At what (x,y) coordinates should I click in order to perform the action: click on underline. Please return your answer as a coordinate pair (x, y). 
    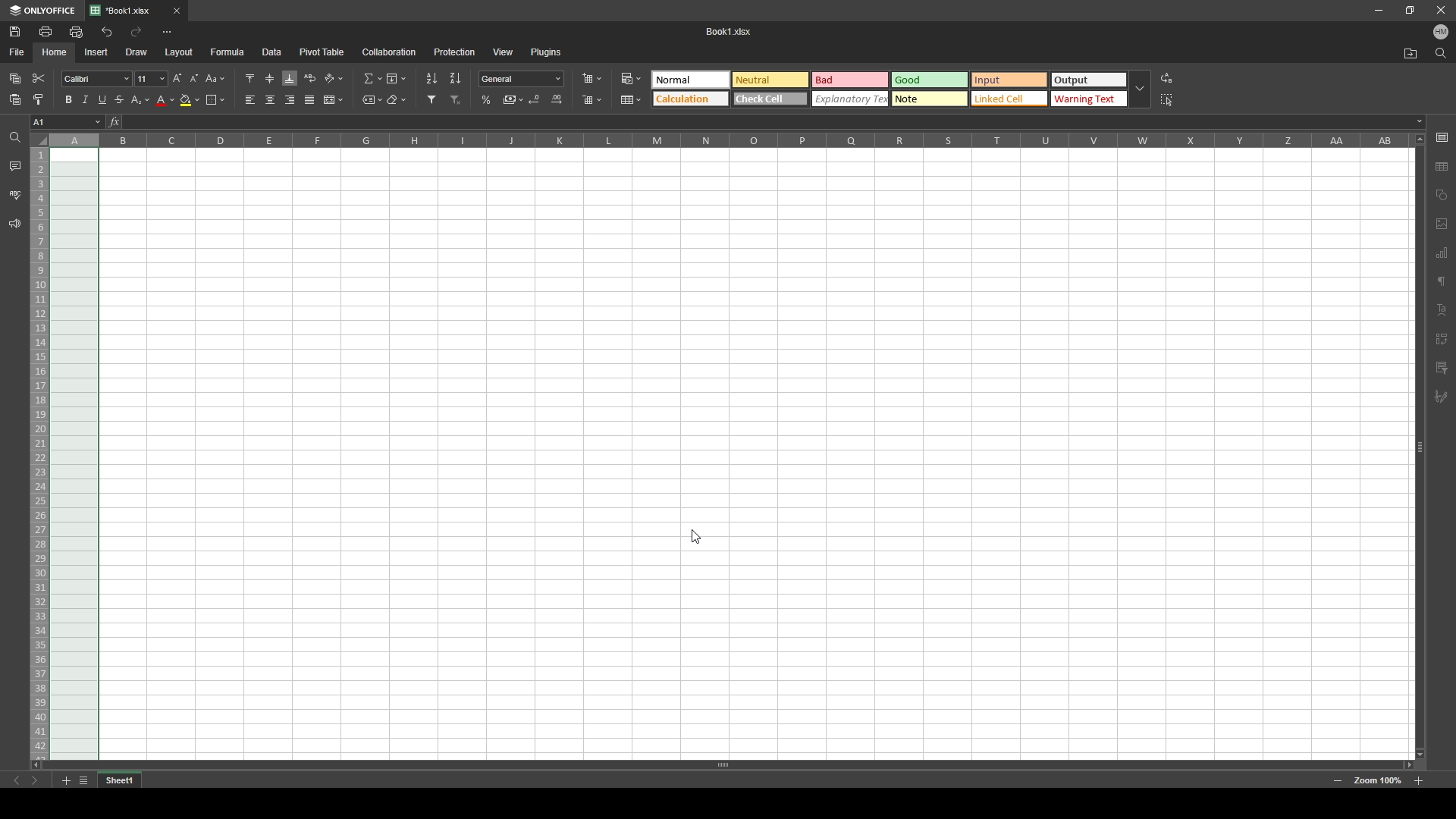
    Looking at the image, I should click on (102, 100).